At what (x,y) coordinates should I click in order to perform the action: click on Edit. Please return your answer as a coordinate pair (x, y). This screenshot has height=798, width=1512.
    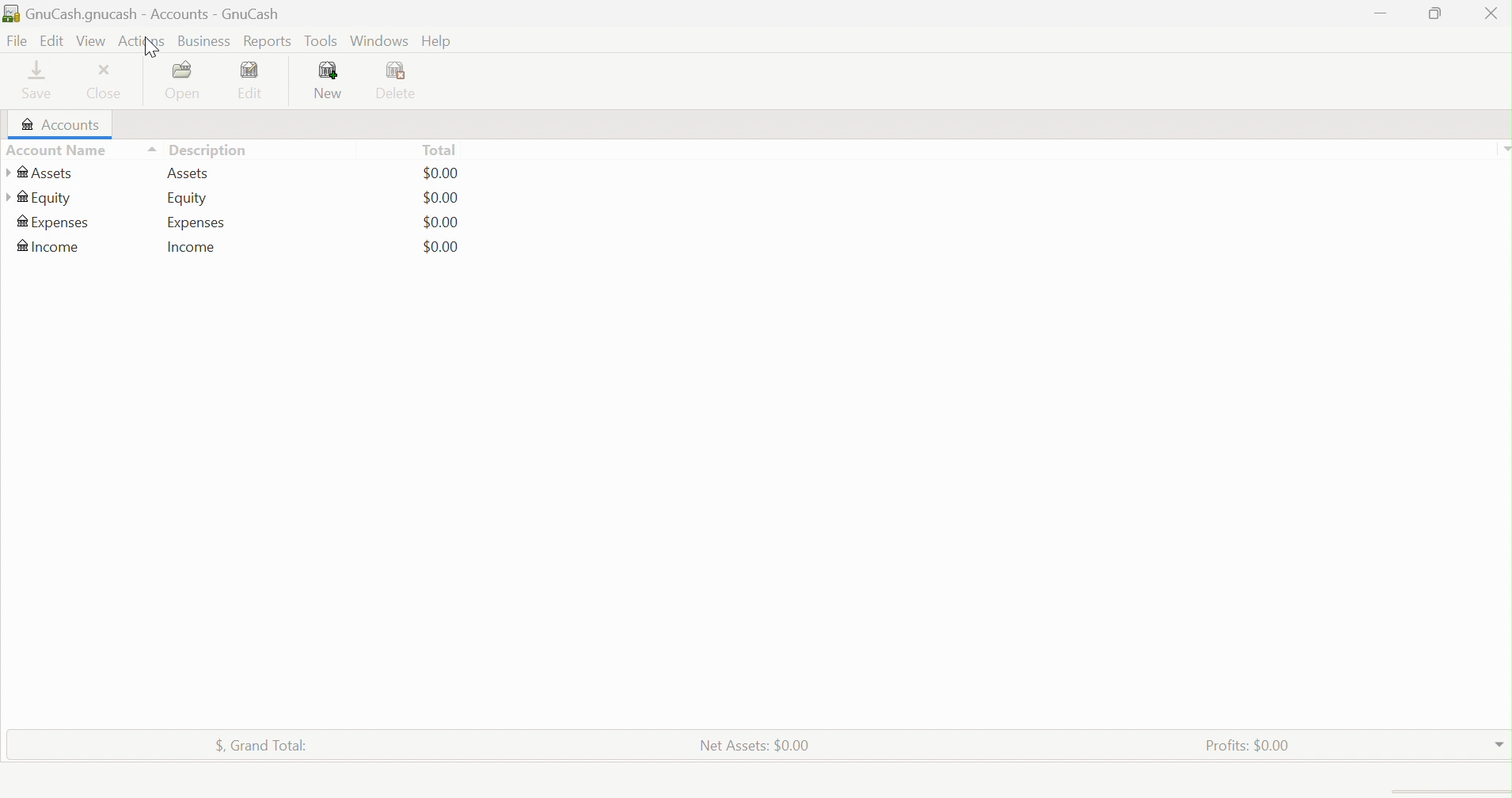
    Looking at the image, I should click on (259, 80).